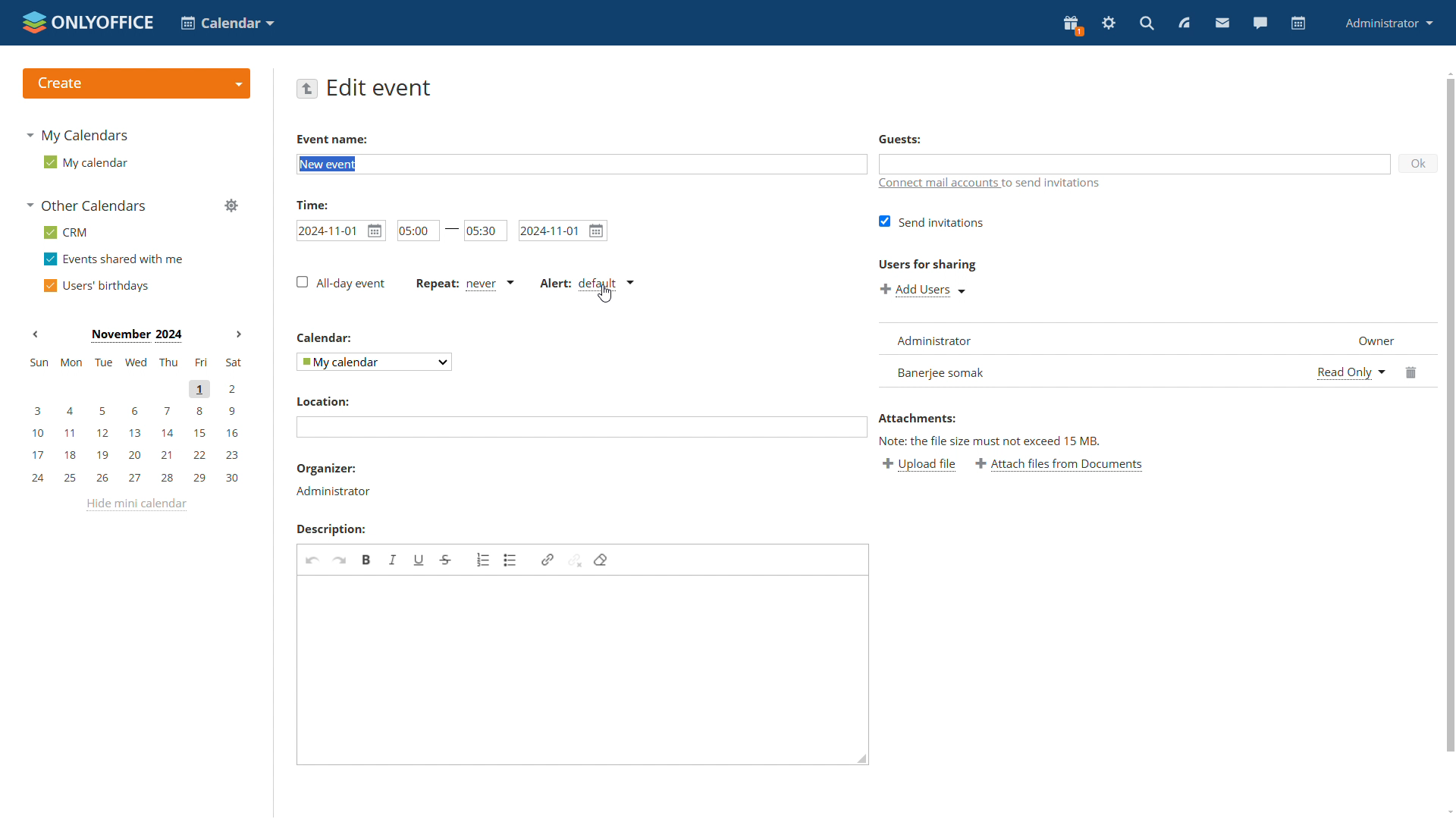 The image size is (1456, 819). I want to click on Next month, so click(238, 334).